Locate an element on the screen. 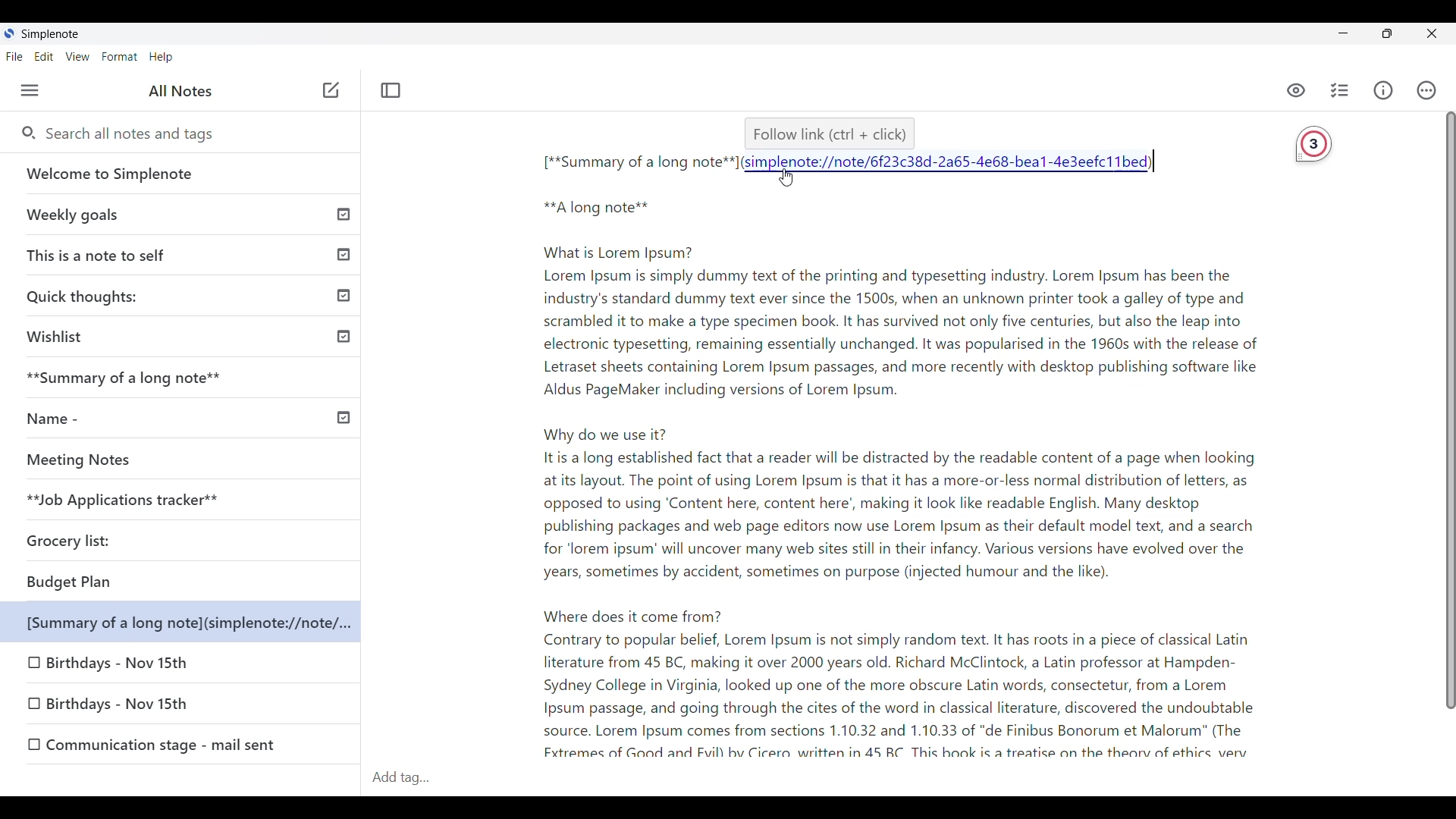  Add tag is located at coordinates (416, 777).